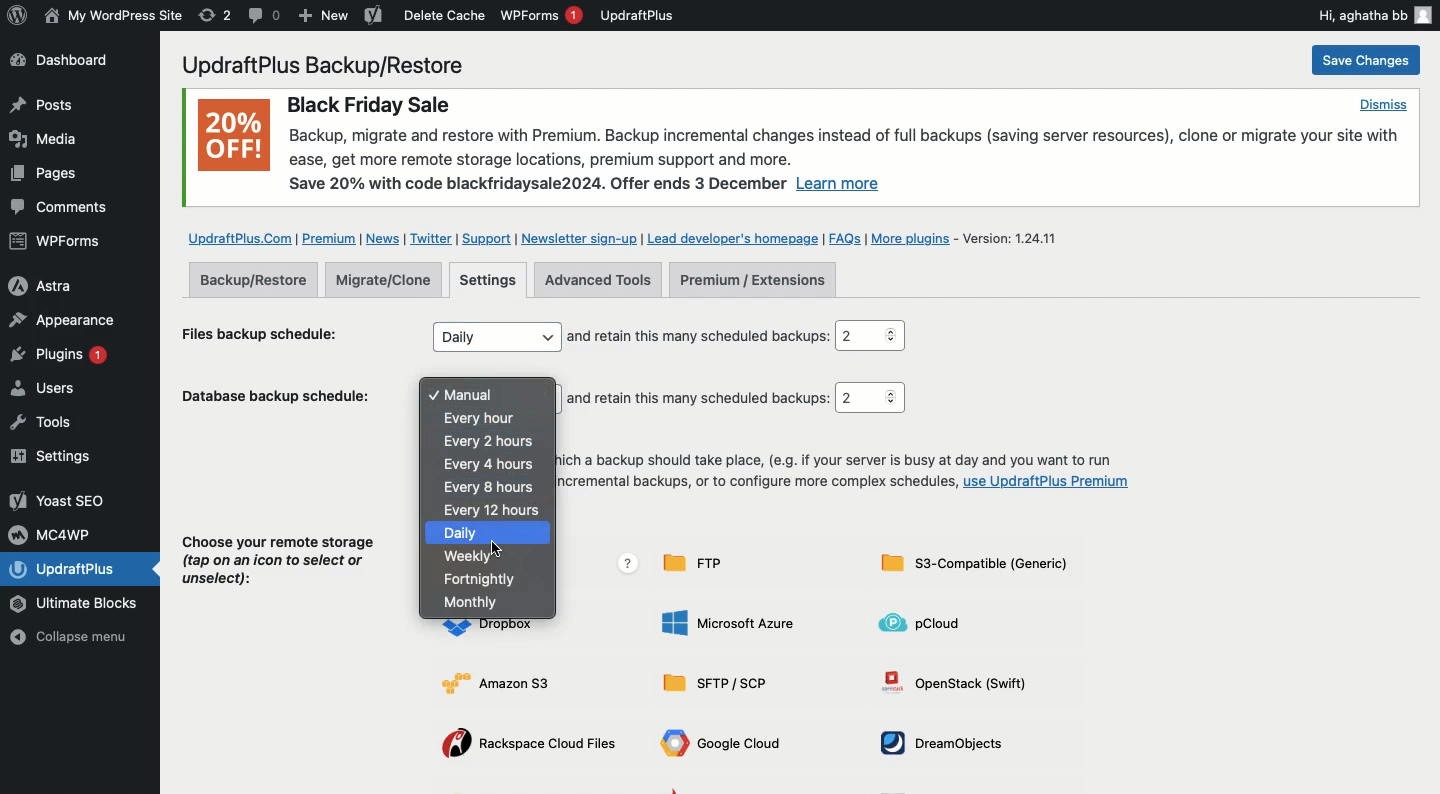  I want to click on Every 2 hours, so click(499, 443).